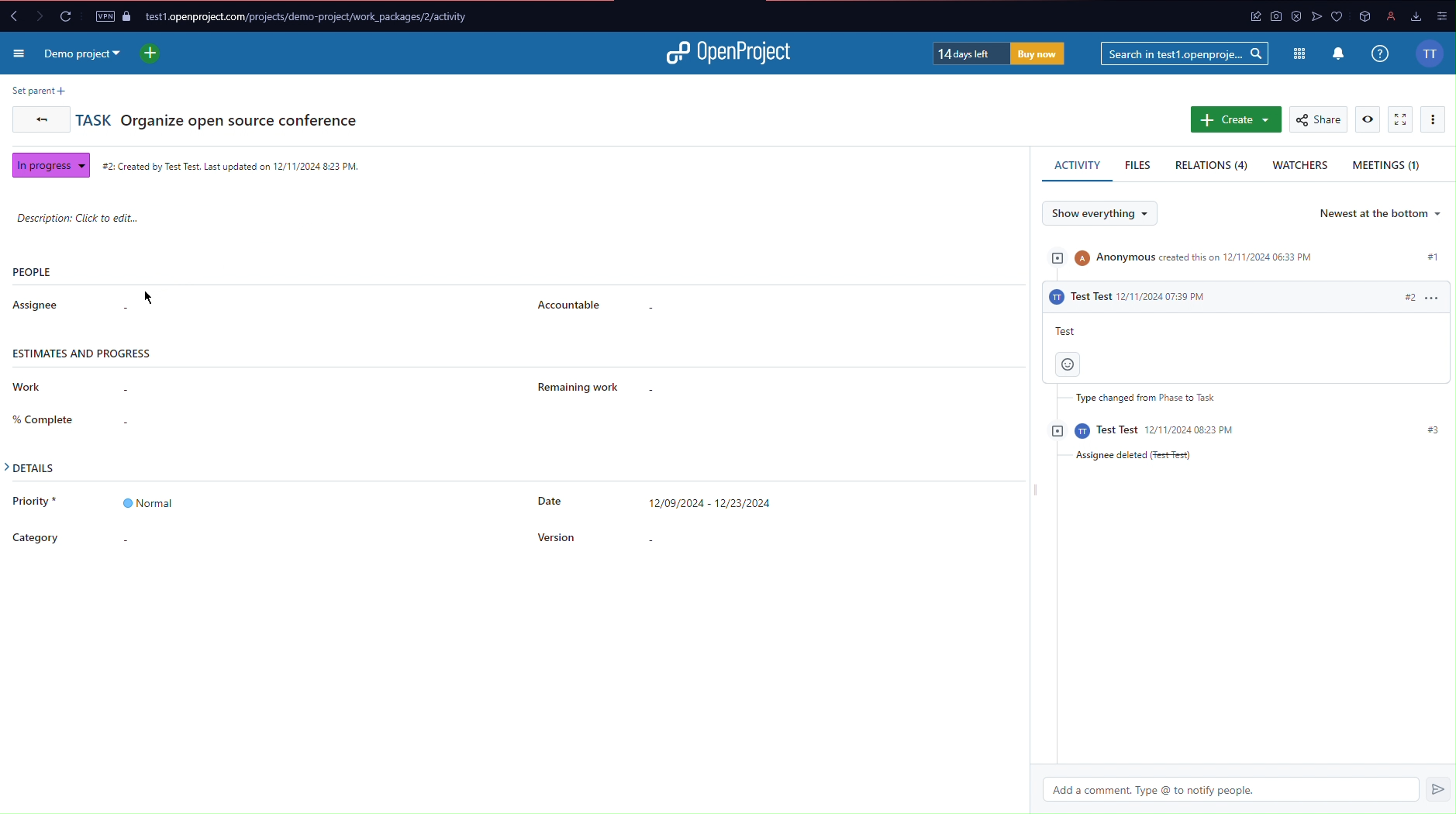  I want to click on New project, so click(153, 53).